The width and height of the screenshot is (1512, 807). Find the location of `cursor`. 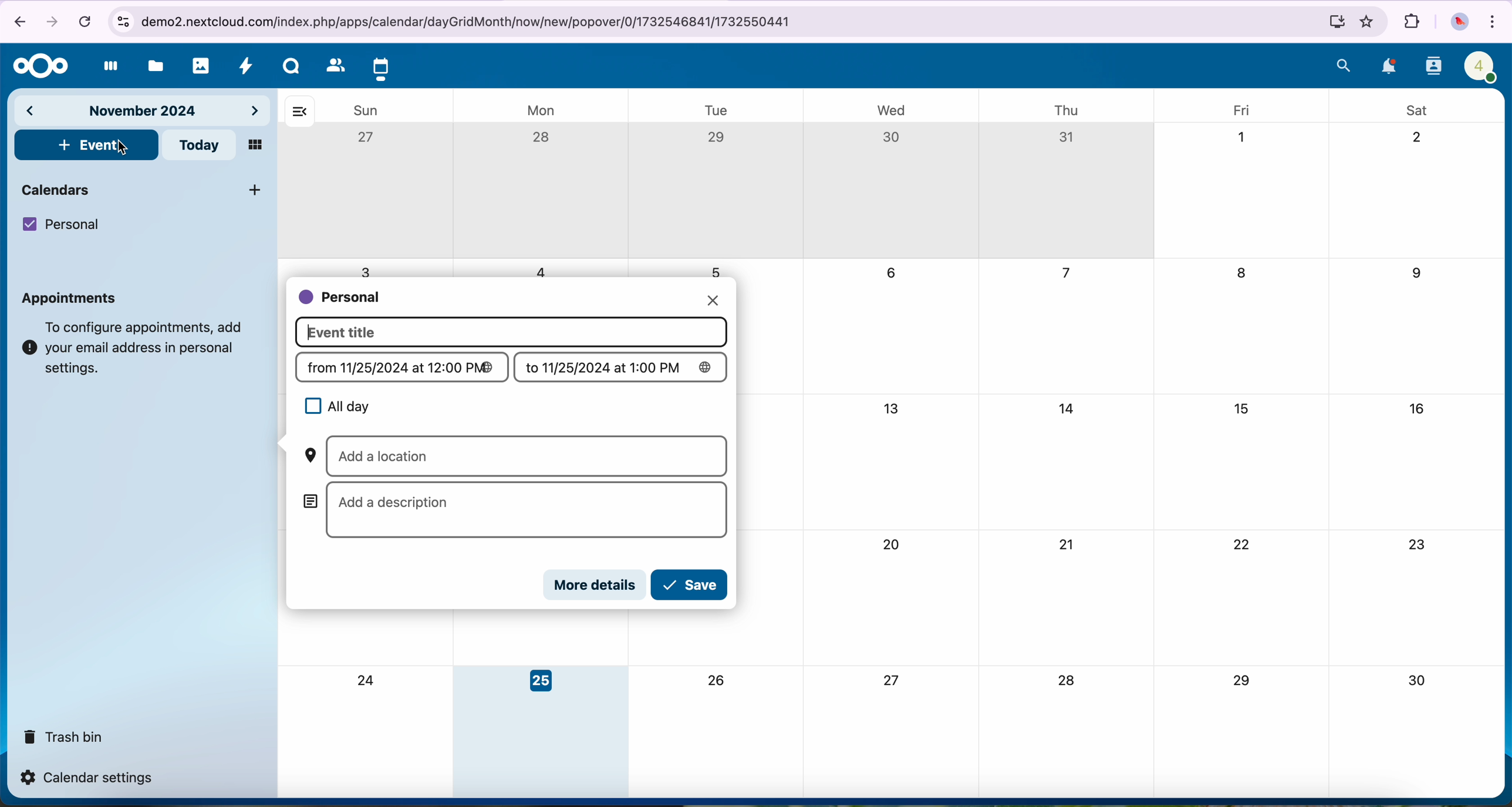

cursor is located at coordinates (123, 150).